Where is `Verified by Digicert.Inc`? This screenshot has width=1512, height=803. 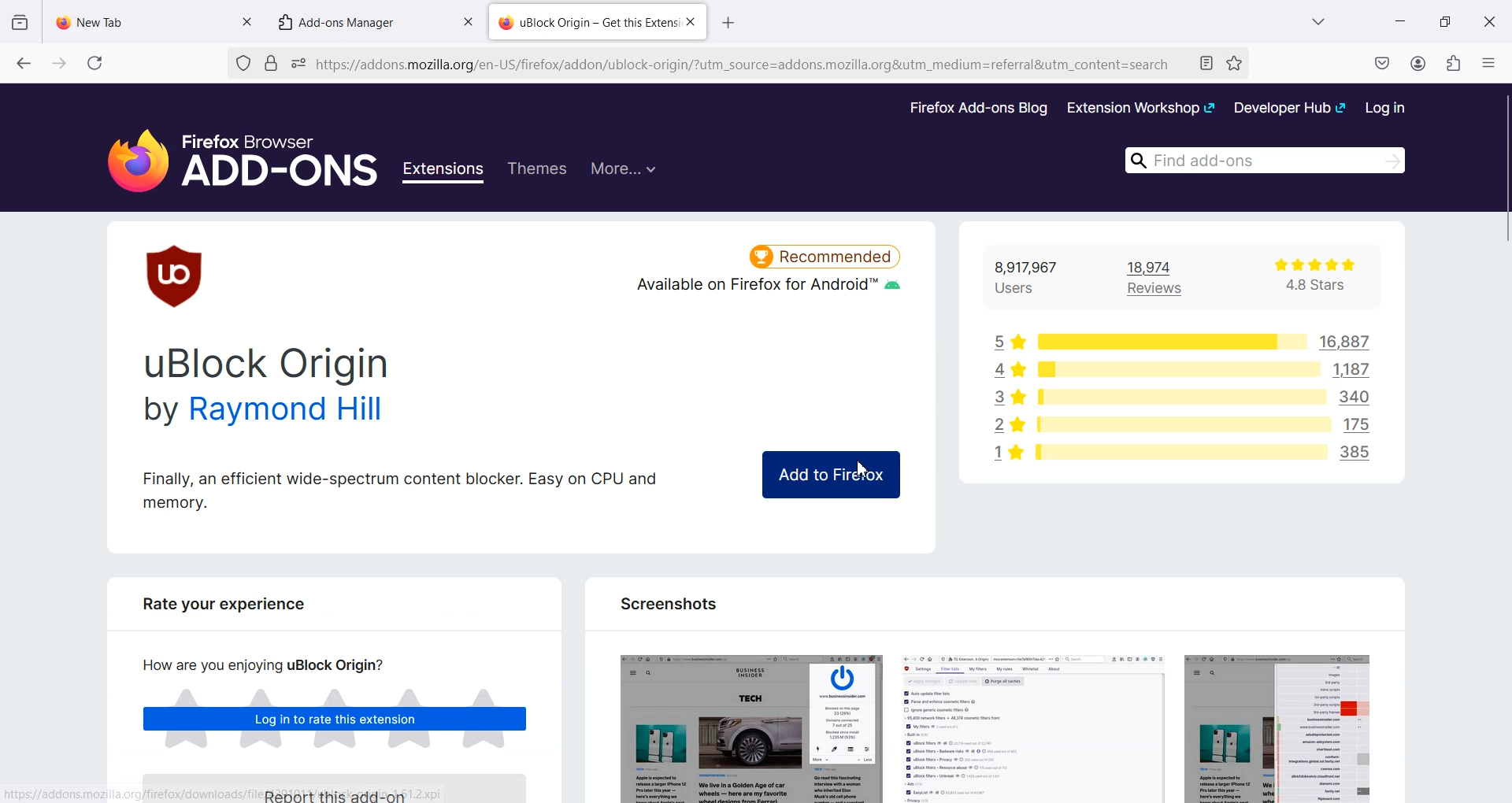
Verified by Digicert.Inc is located at coordinates (270, 64).